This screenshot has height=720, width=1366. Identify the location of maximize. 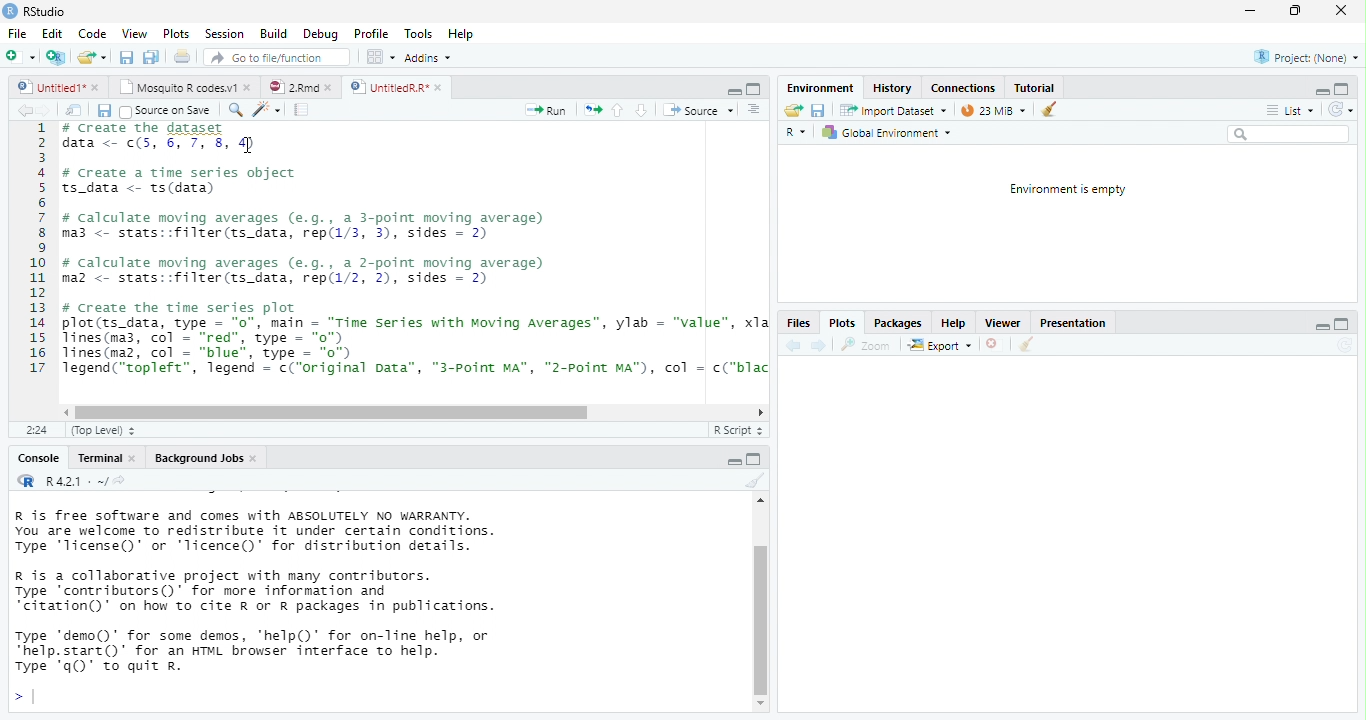
(735, 462).